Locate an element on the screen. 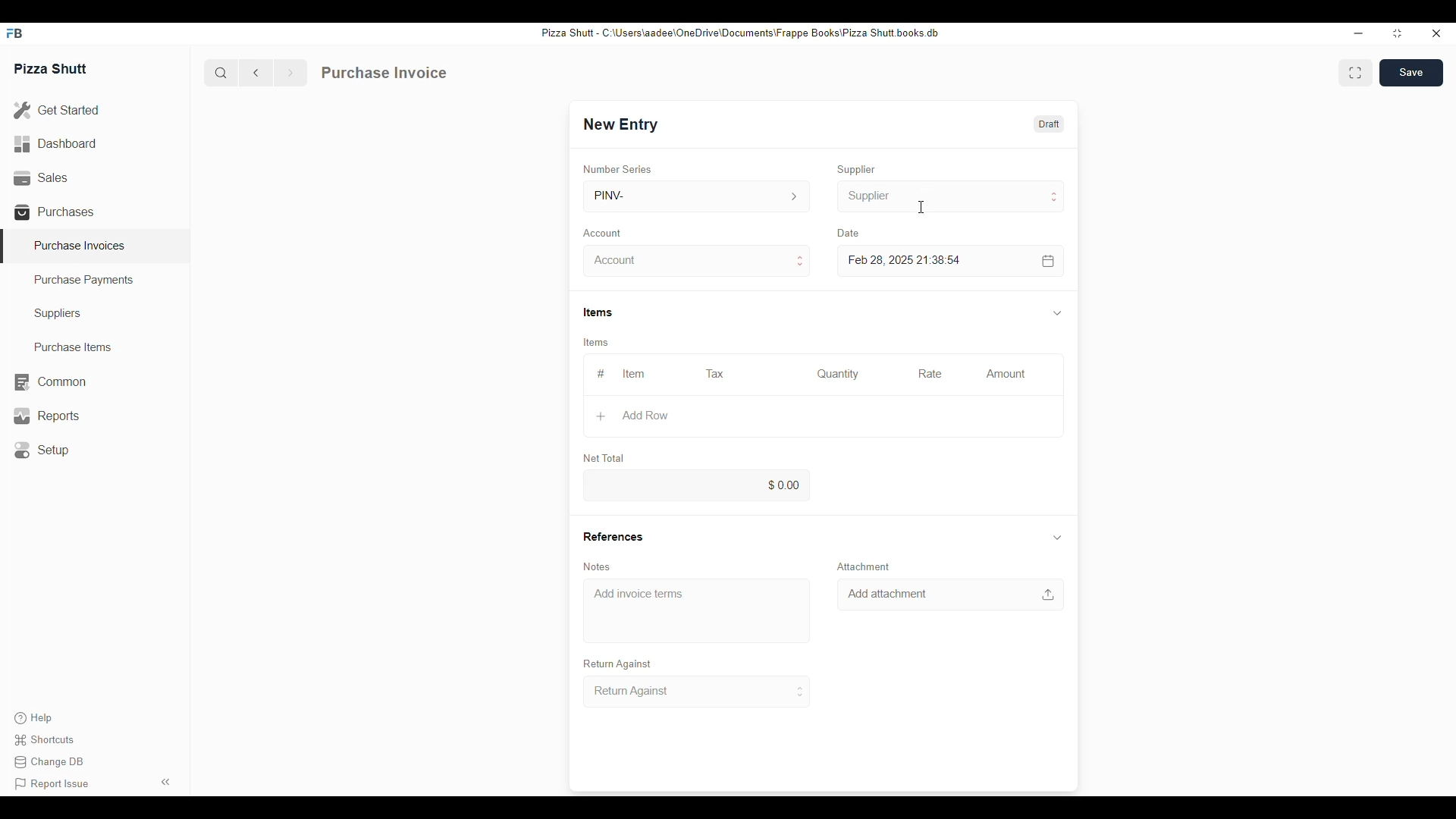  FB is located at coordinates (17, 33).